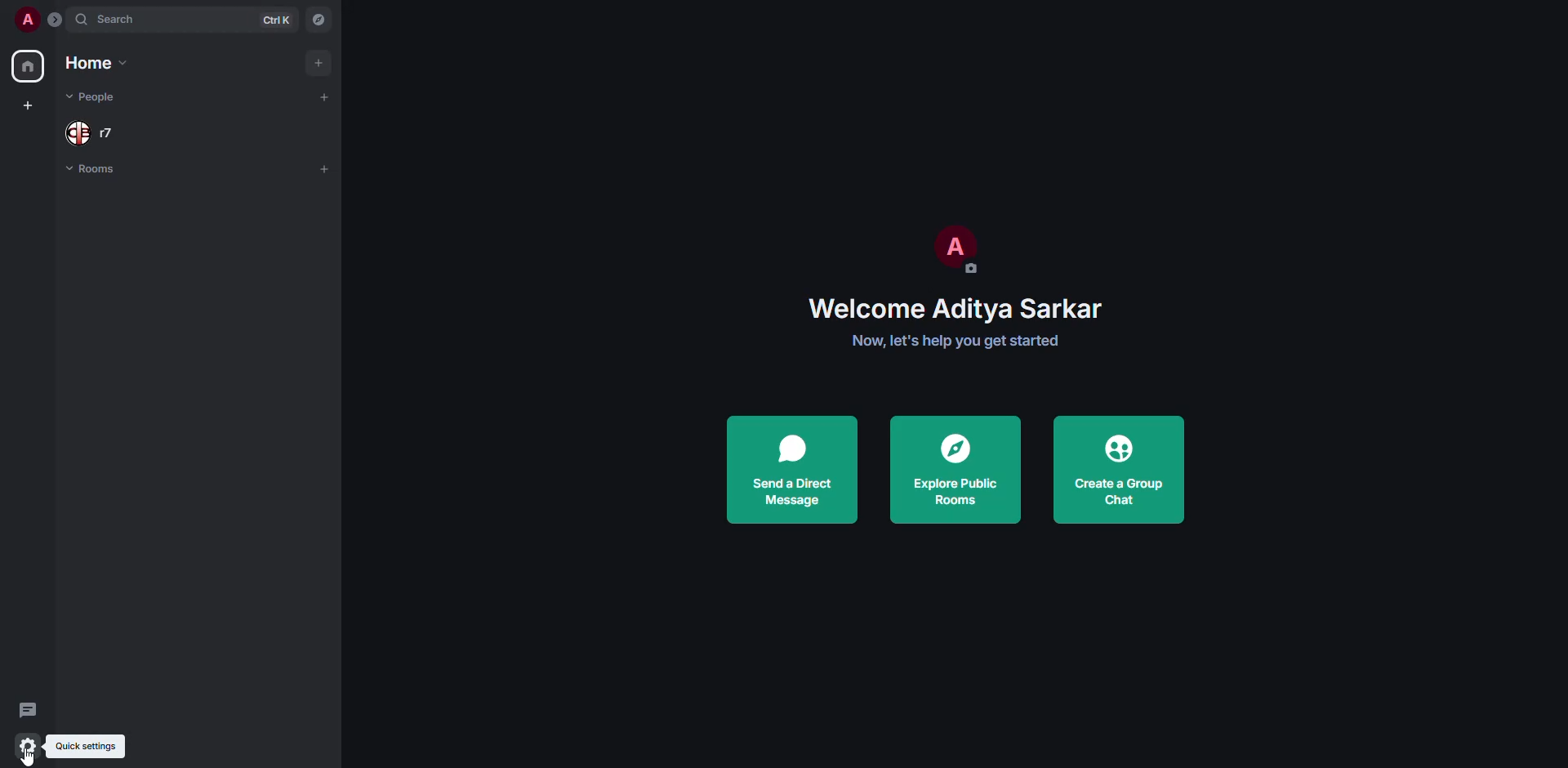 This screenshot has height=768, width=1568. Describe the element at coordinates (27, 745) in the screenshot. I see `quick settings` at that location.